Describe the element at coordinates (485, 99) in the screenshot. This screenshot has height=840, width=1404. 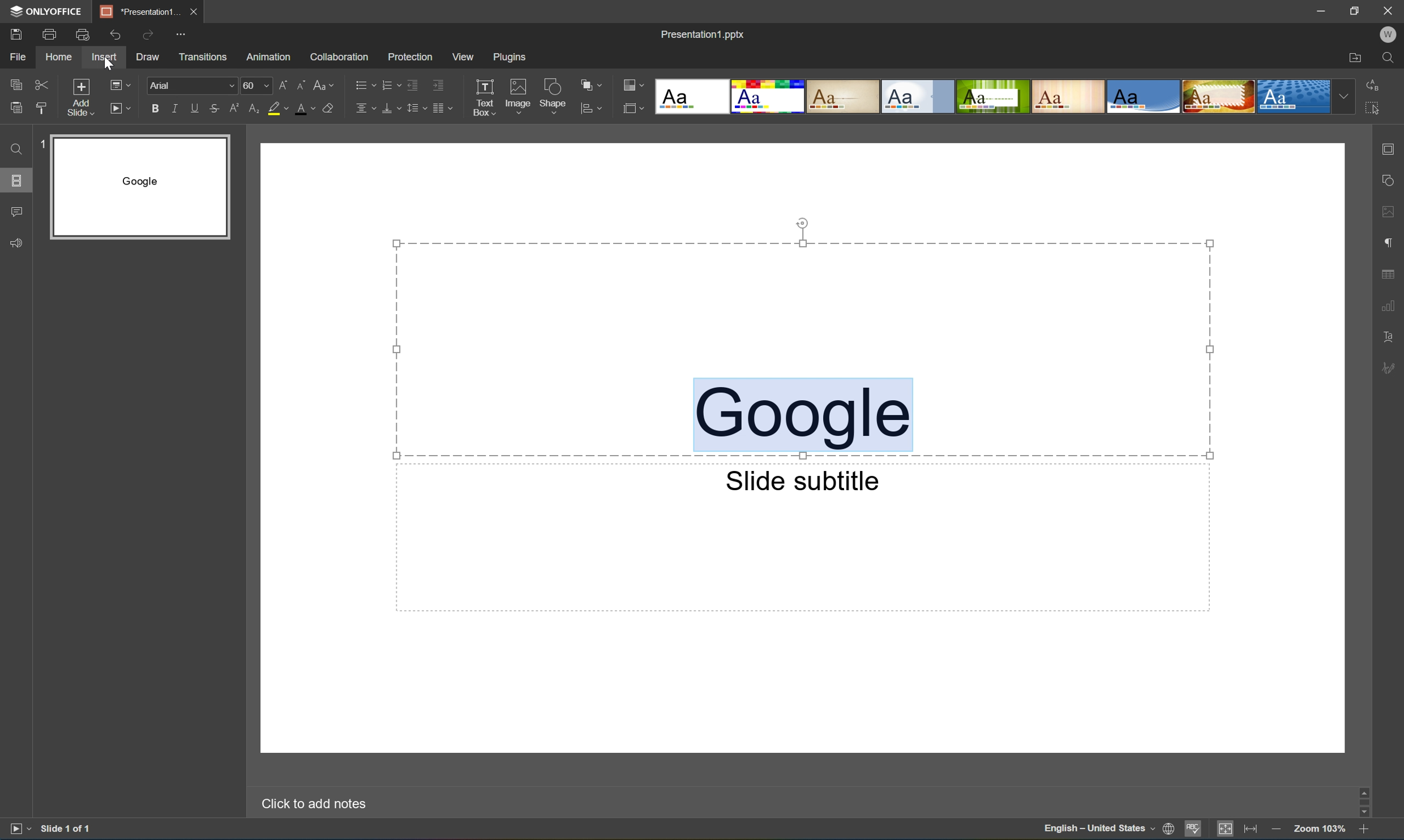
I see `Text box` at that location.